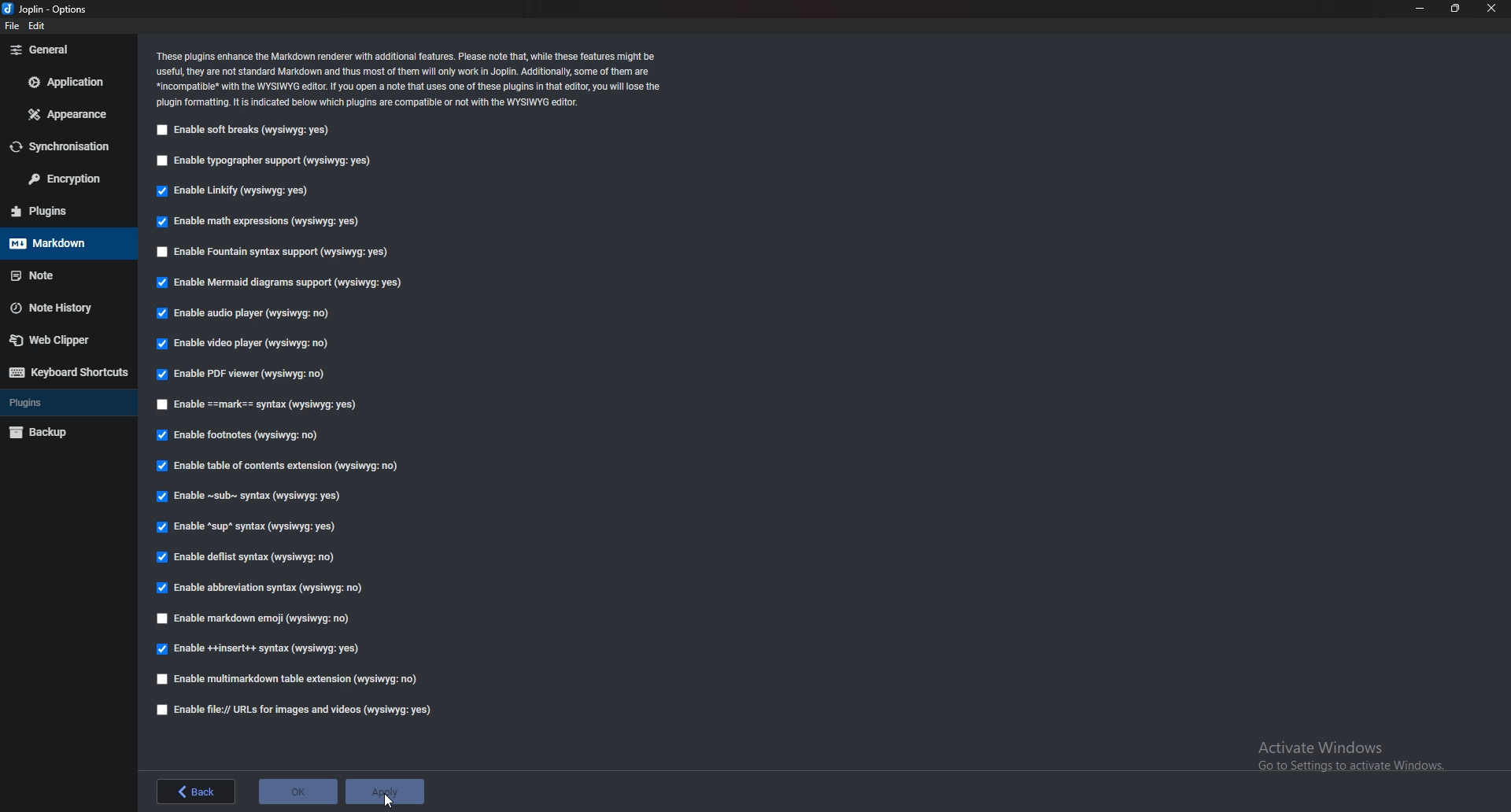 The image size is (1511, 812). I want to click on web clipper, so click(66, 339).